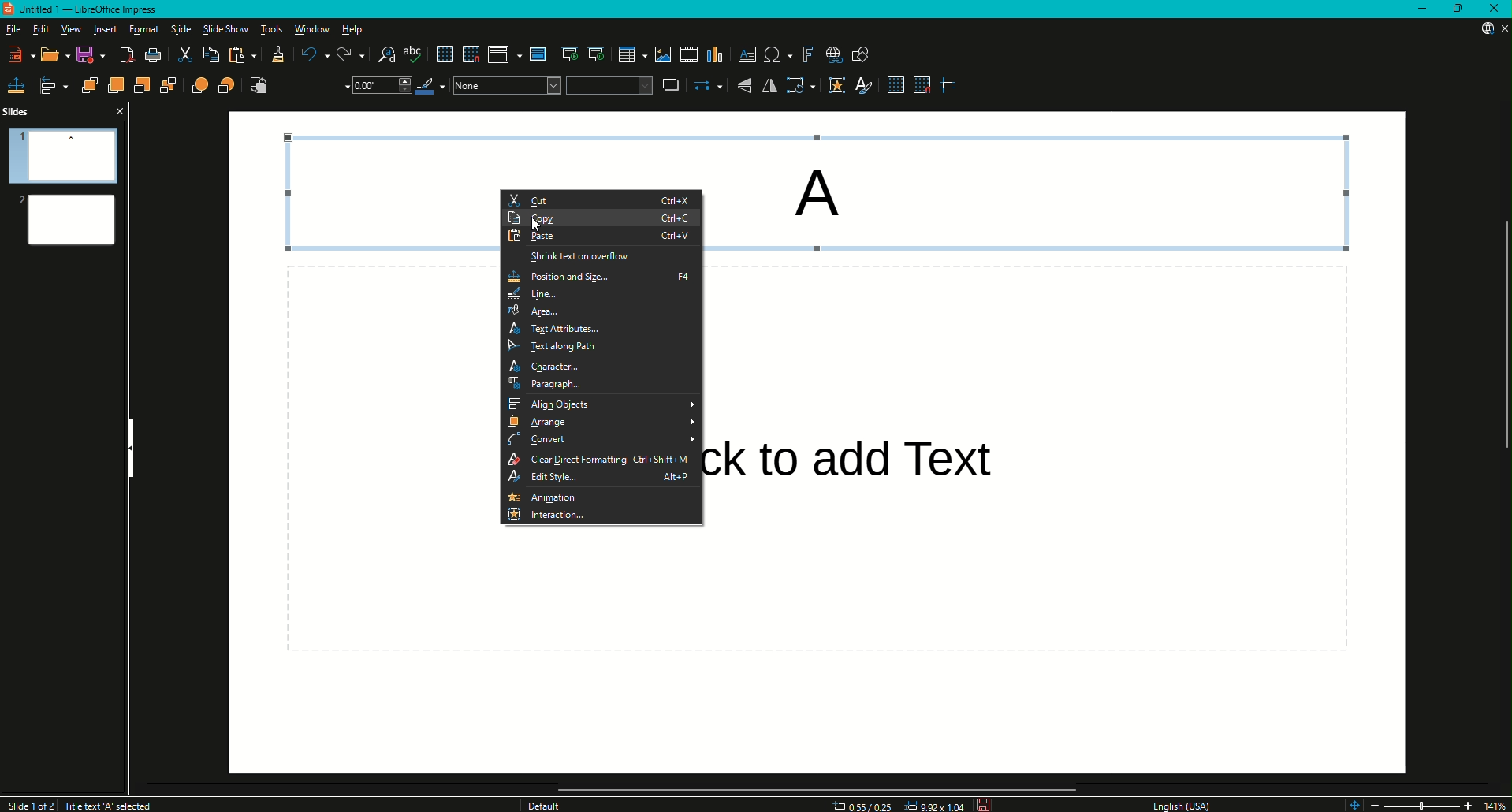 The image size is (1512, 812). I want to click on 14%, so click(1497, 804).